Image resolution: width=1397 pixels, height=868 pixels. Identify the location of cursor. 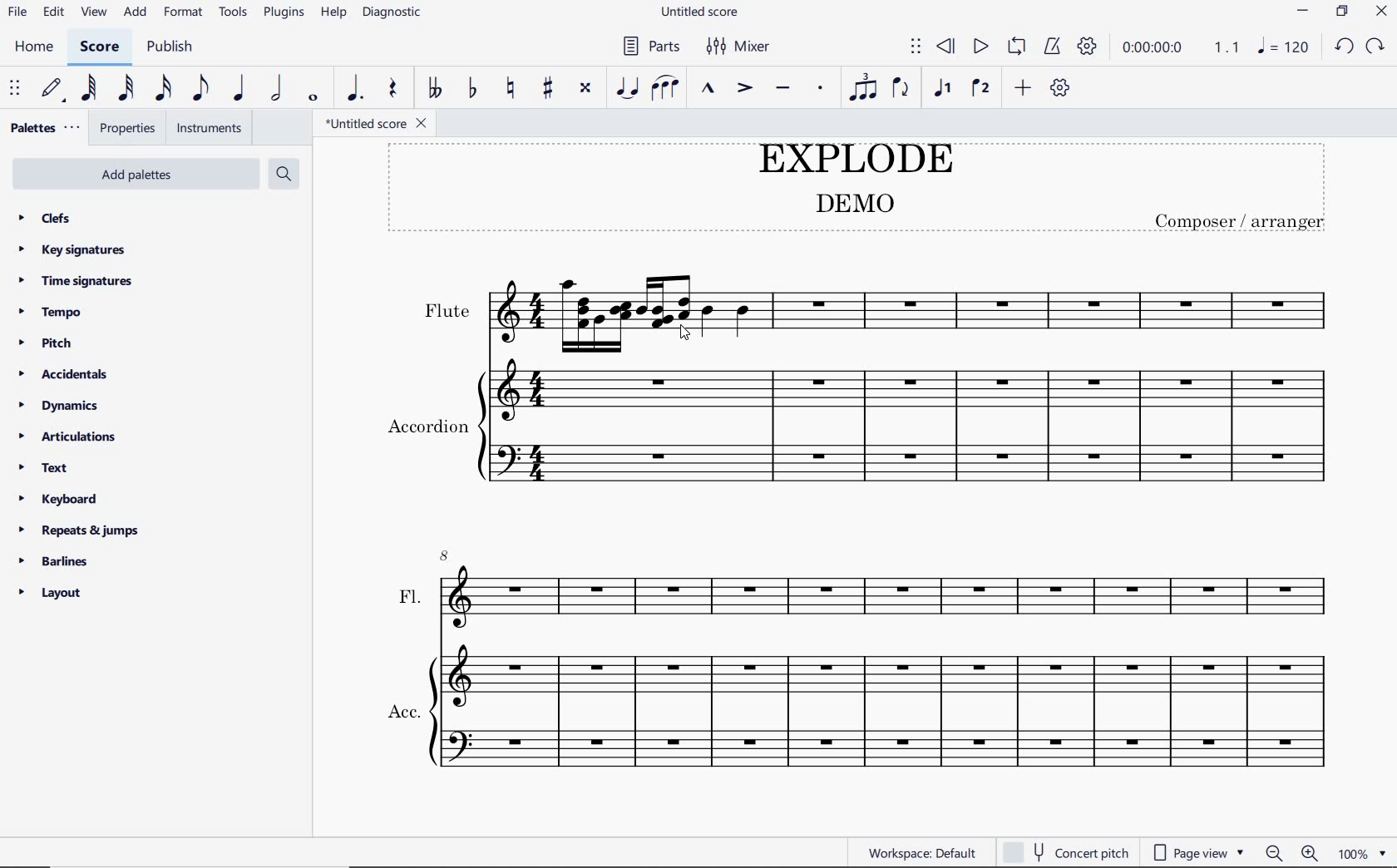
(679, 335).